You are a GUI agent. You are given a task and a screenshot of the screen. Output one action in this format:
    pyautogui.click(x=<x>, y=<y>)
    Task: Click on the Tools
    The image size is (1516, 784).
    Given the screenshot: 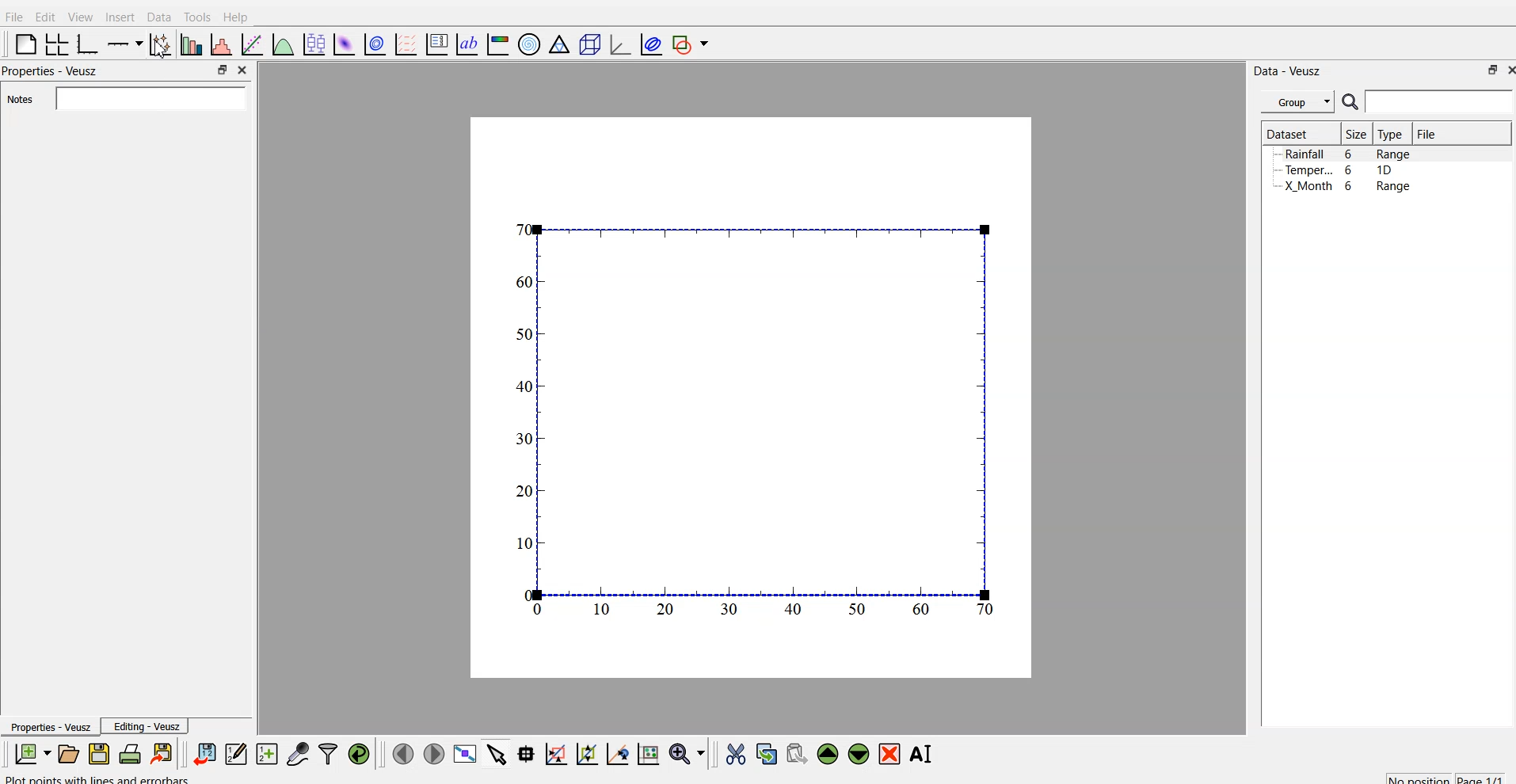 What is the action you would take?
    pyautogui.click(x=196, y=16)
    